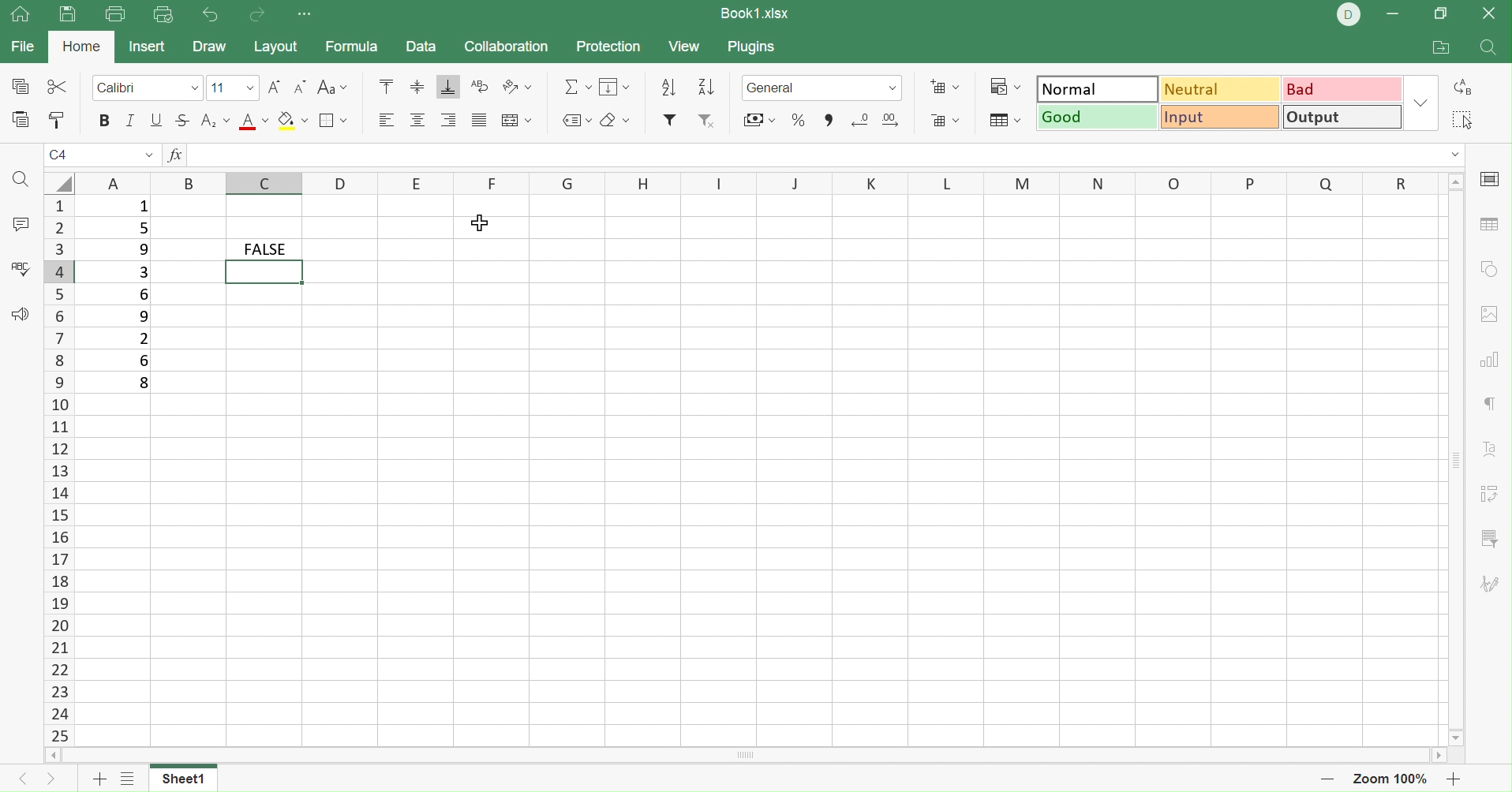 The width and height of the screenshot is (1512, 792). I want to click on 5, so click(141, 229).